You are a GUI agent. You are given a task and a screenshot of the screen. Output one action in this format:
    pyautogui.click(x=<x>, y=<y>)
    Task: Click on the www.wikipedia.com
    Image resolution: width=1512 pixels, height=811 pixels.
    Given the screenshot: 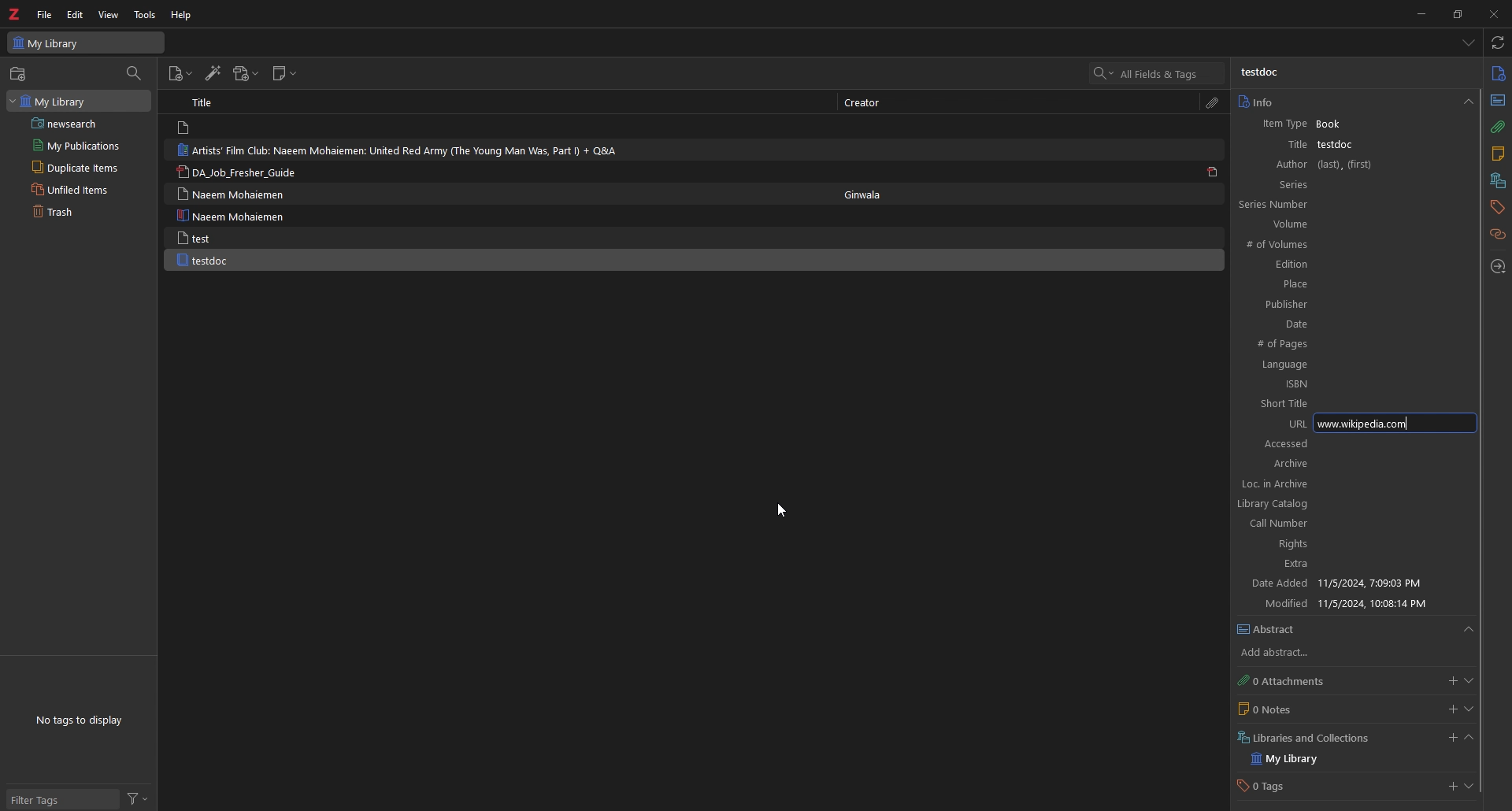 What is the action you would take?
    pyautogui.click(x=1394, y=424)
    